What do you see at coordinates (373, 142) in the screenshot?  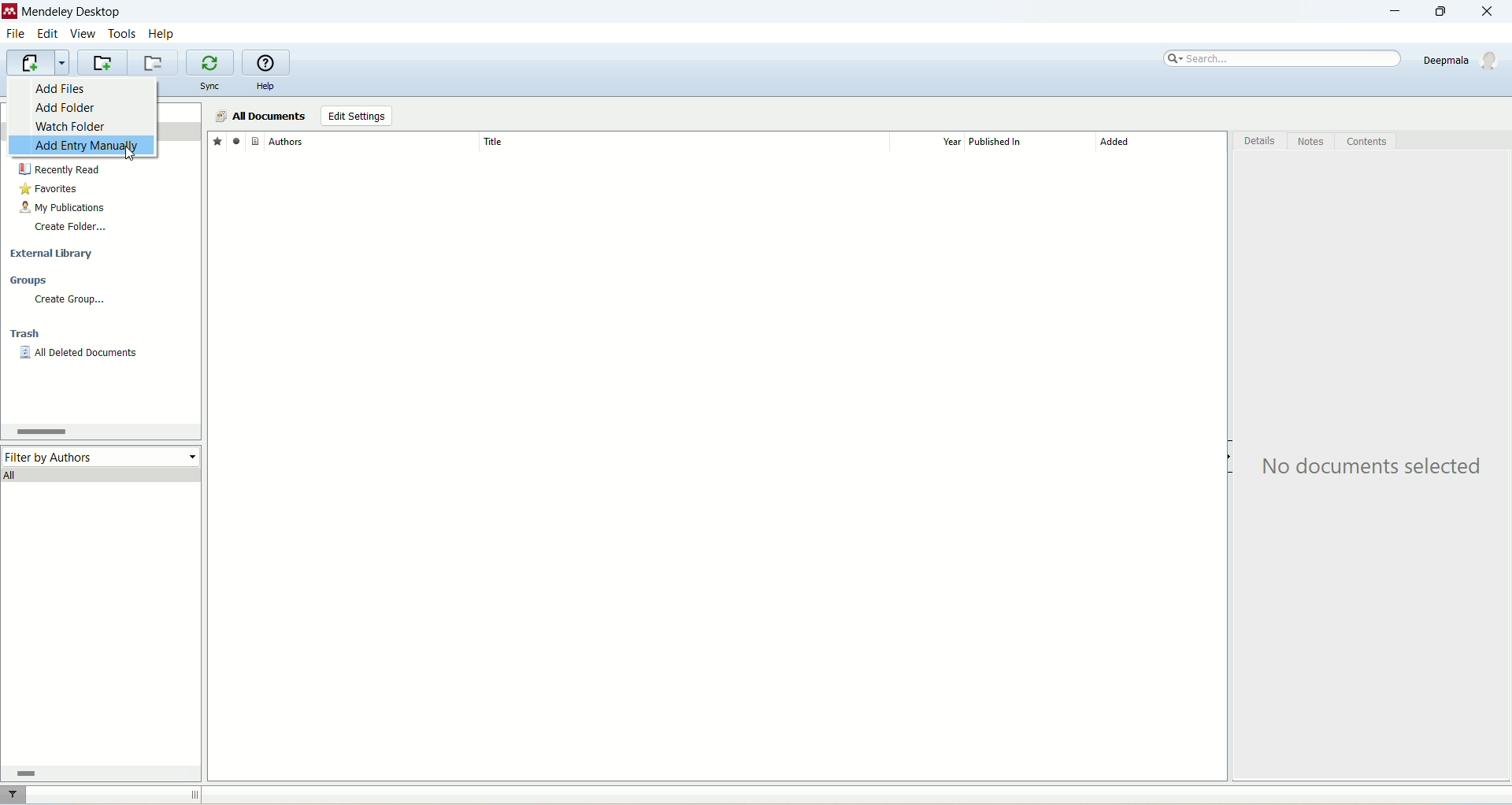 I see `author` at bounding box center [373, 142].